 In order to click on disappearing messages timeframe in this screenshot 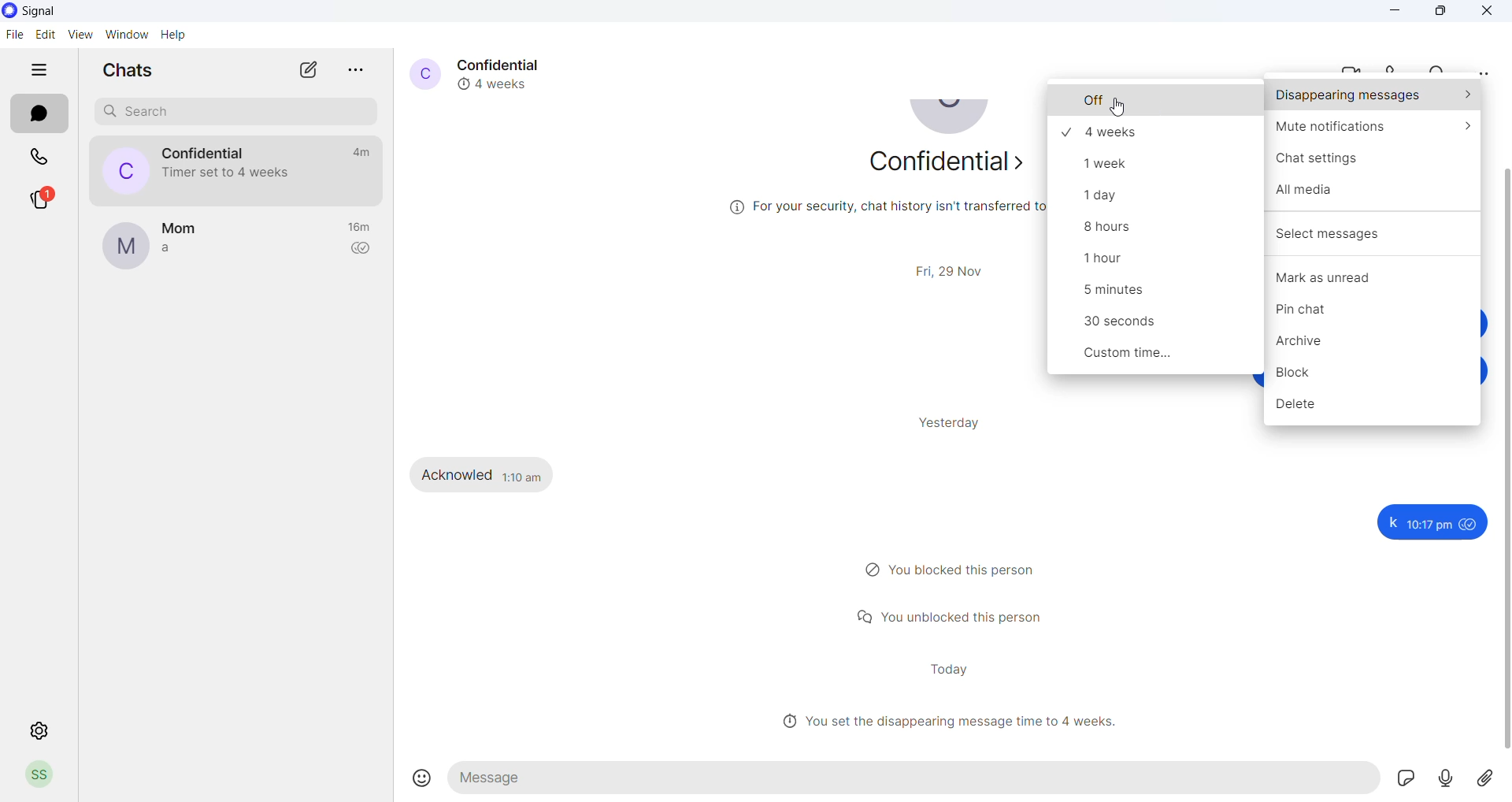, I will do `click(1154, 295)`.